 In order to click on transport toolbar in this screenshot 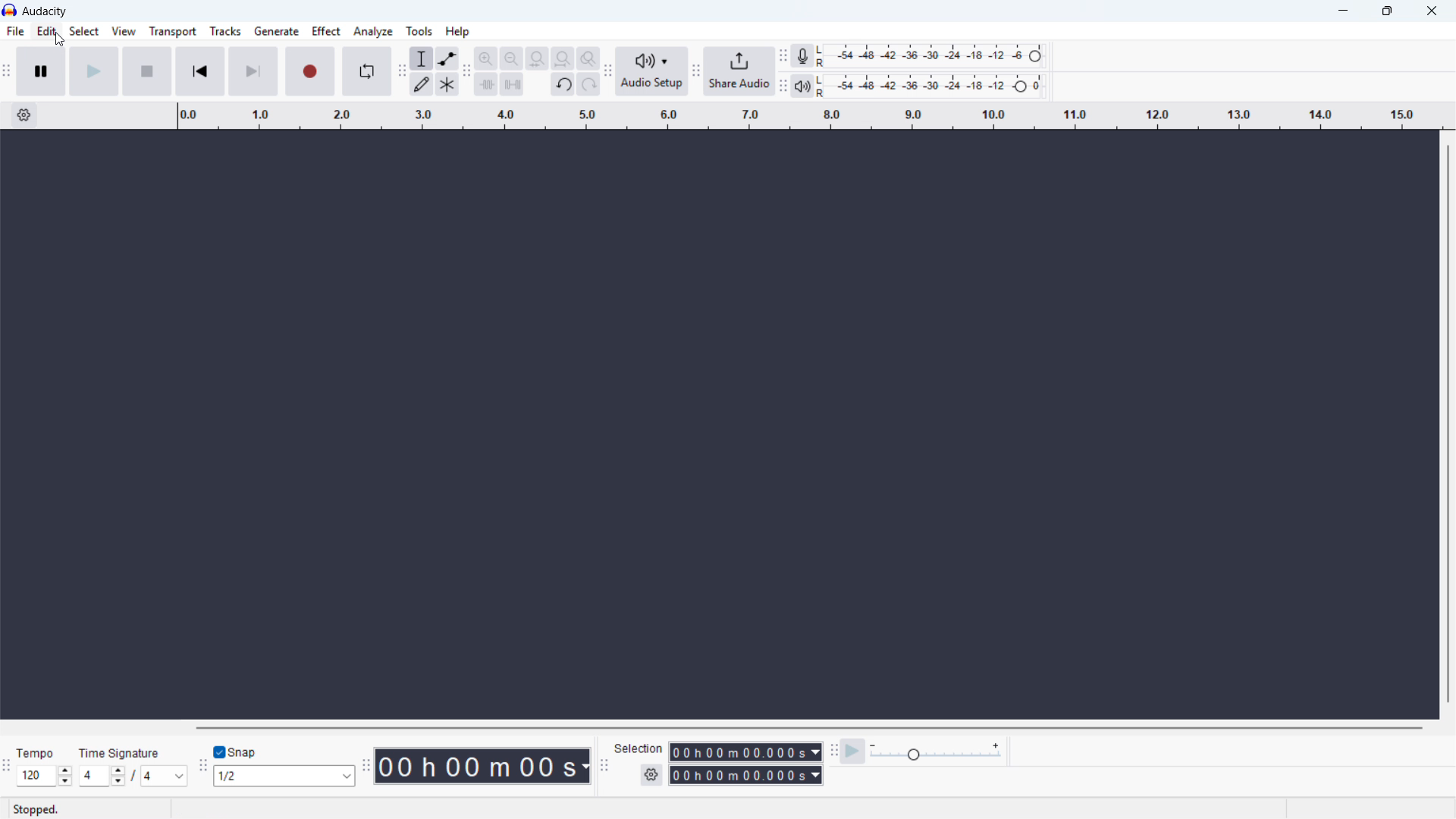, I will do `click(6, 73)`.